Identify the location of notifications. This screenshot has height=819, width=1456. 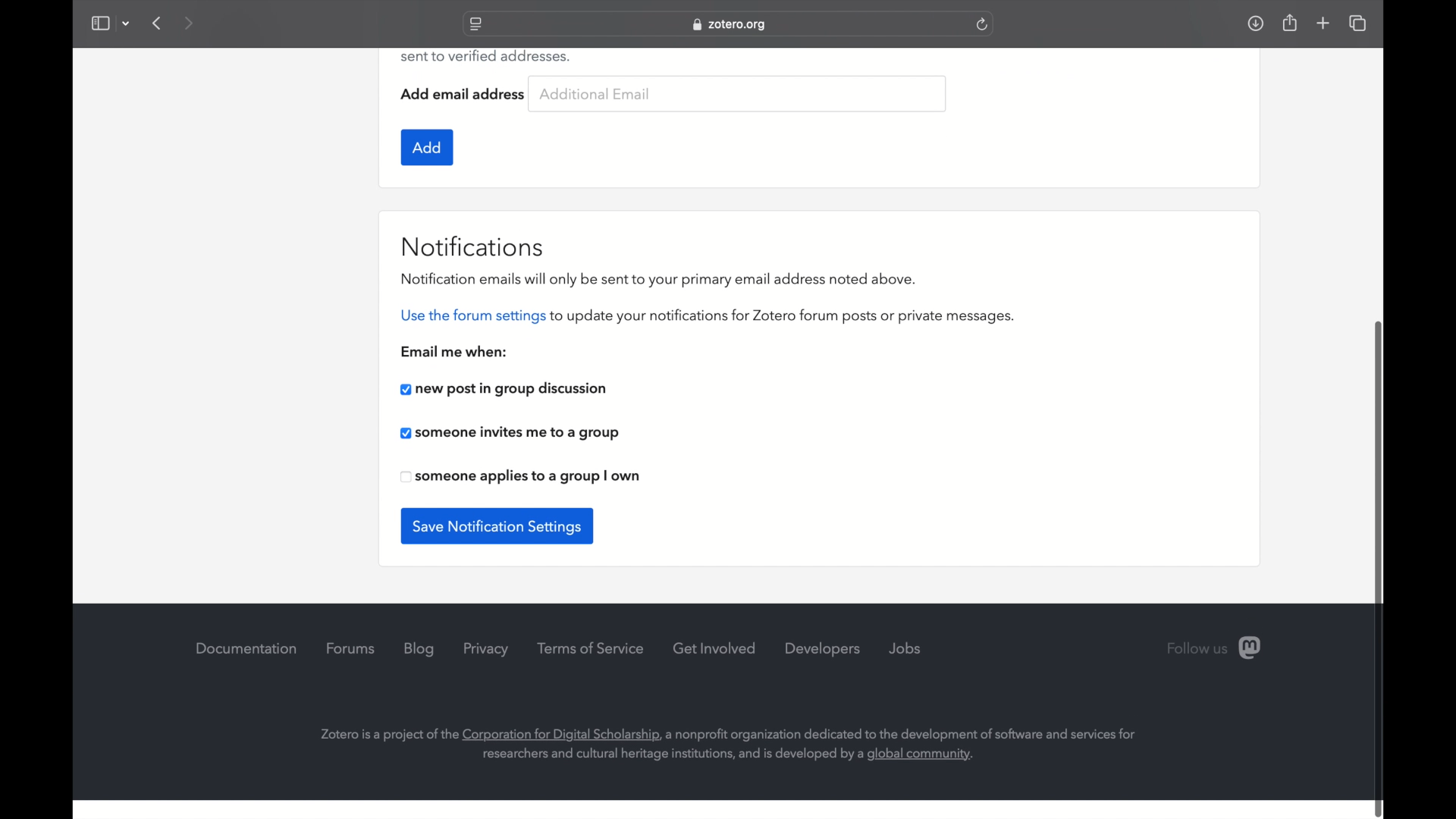
(475, 246).